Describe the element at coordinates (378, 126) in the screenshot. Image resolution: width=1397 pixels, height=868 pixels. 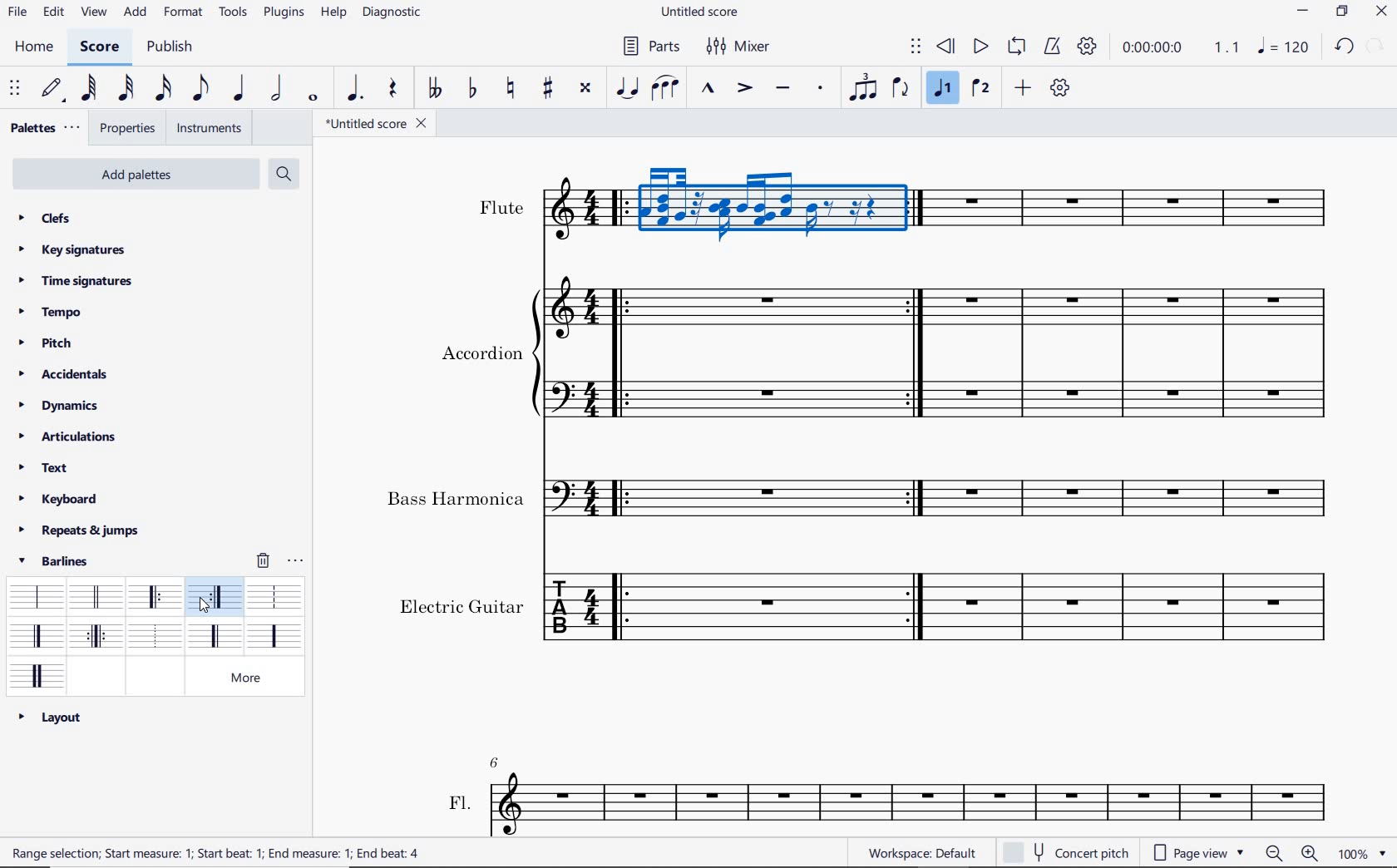
I see `file name` at that location.